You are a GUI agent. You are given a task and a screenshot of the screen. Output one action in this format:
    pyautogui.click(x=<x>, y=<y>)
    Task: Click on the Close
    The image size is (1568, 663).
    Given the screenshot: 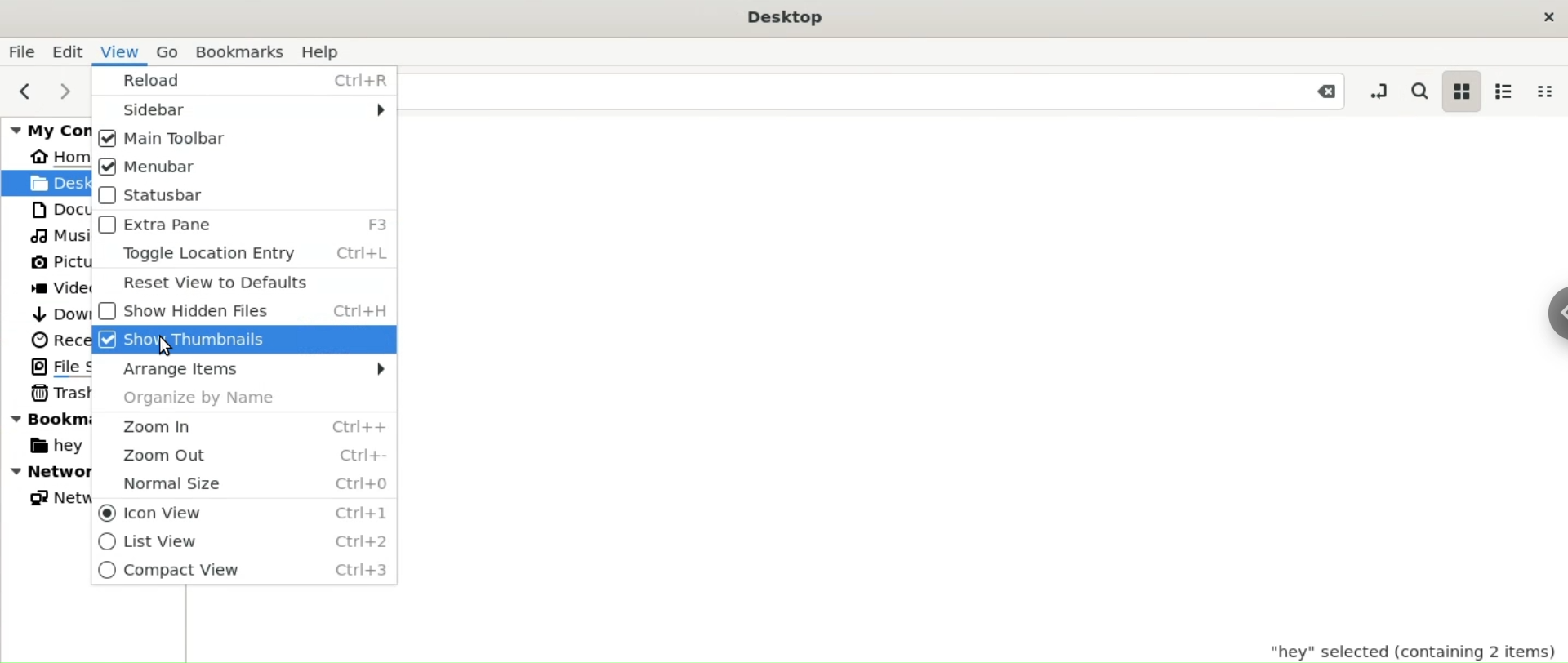 What is the action you would take?
    pyautogui.click(x=1317, y=91)
    